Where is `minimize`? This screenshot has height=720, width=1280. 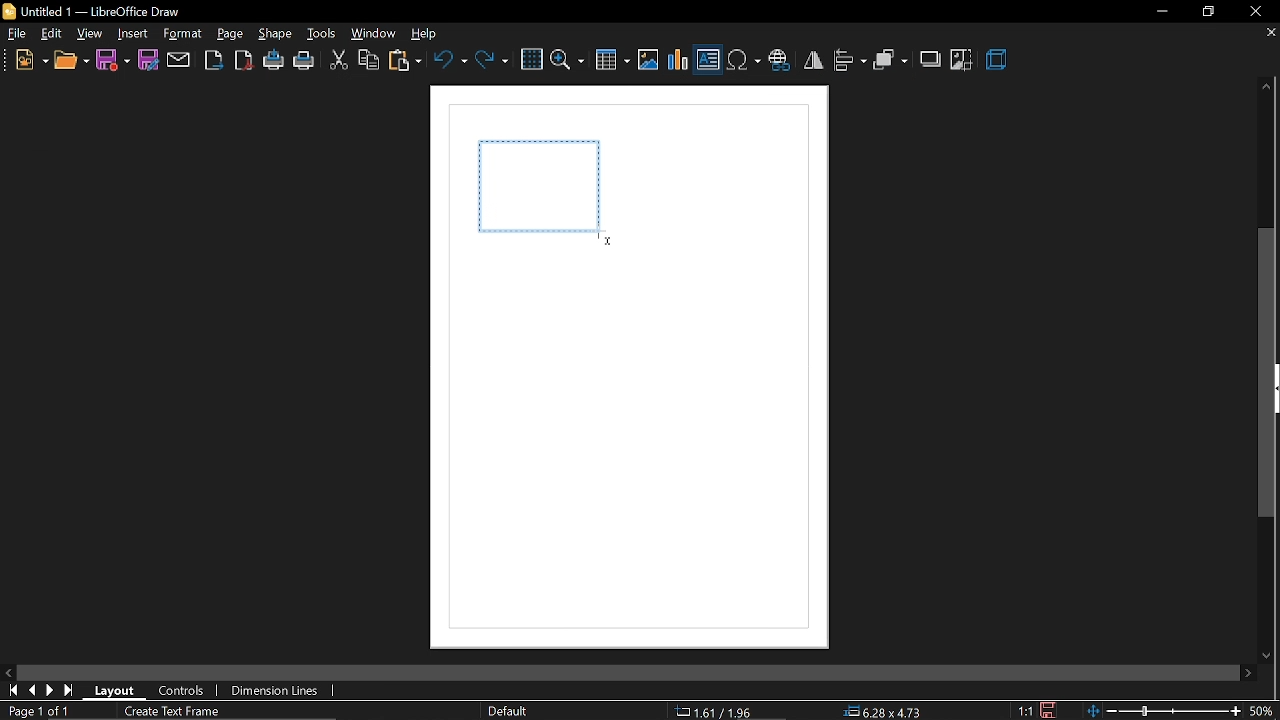
minimize is located at coordinates (1160, 11).